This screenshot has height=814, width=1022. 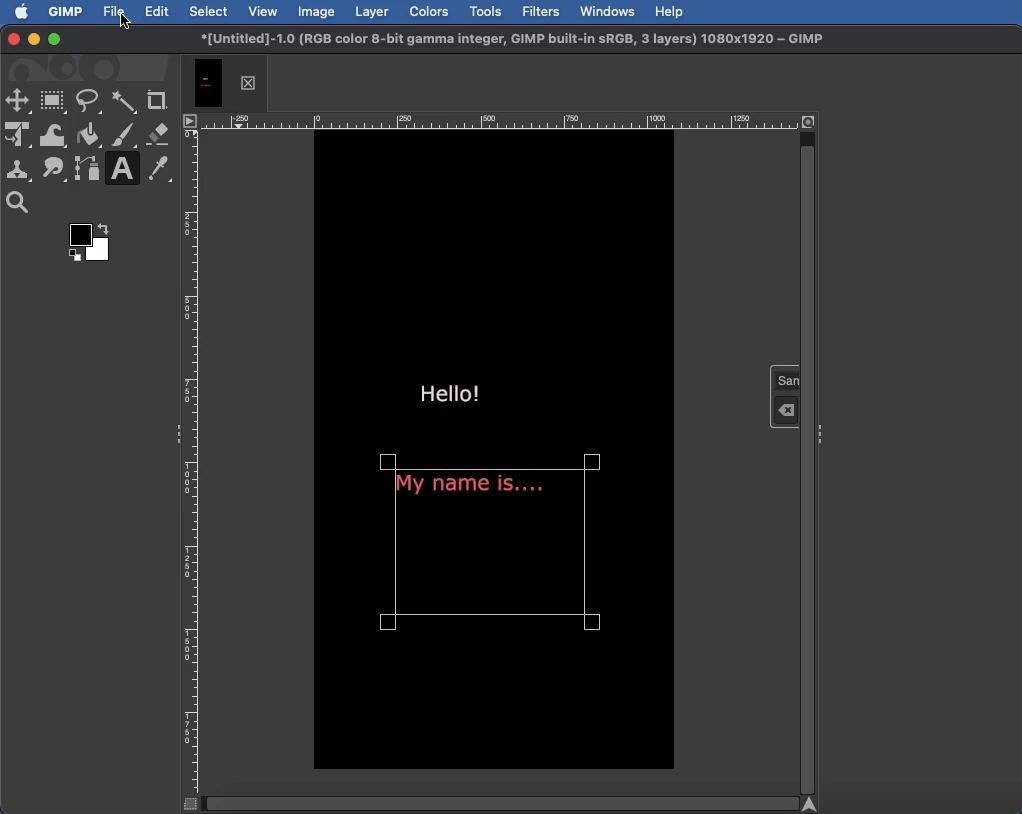 I want to click on Ruler, so click(x=502, y=119).